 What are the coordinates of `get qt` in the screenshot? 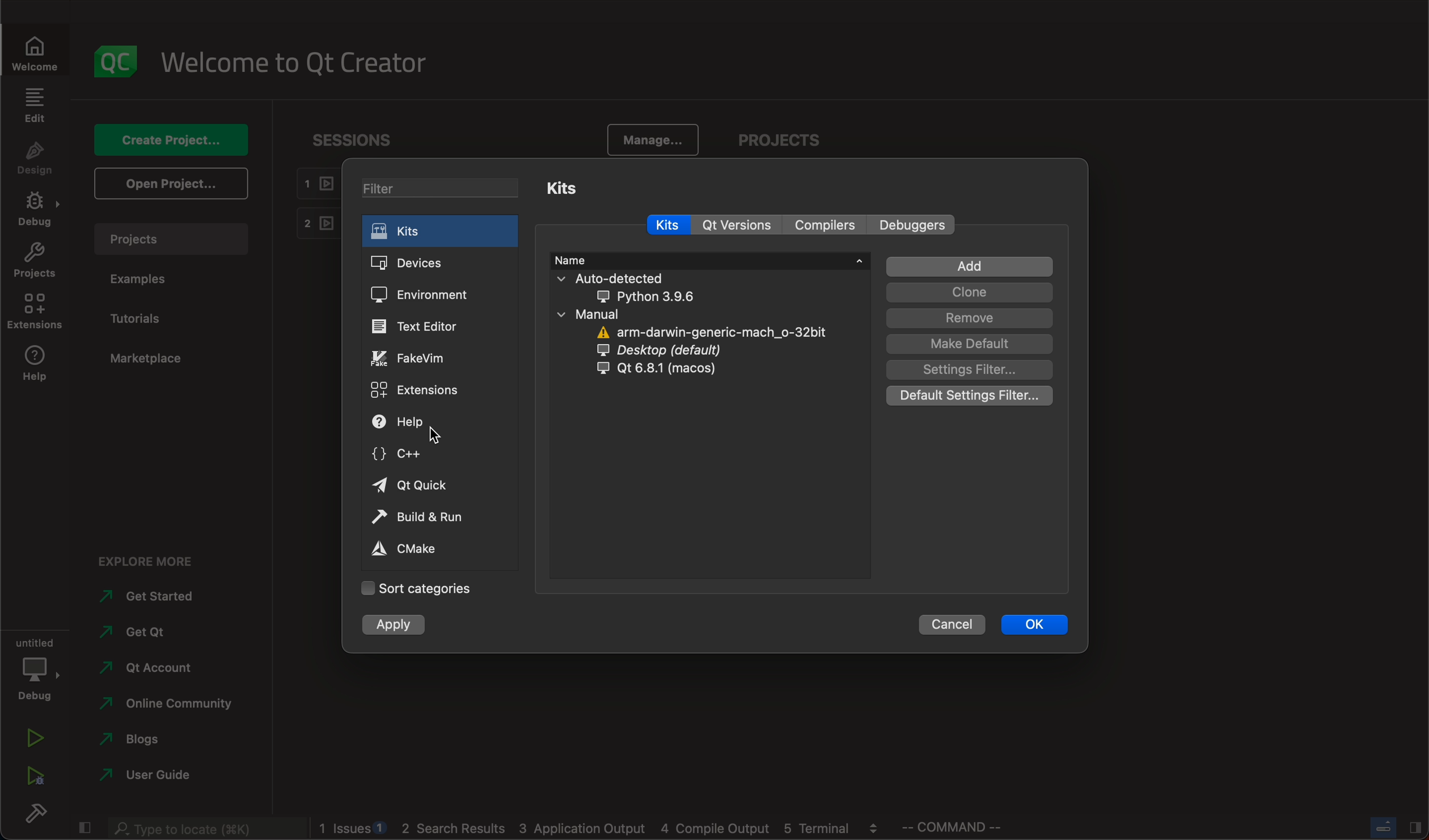 It's located at (150, 633).